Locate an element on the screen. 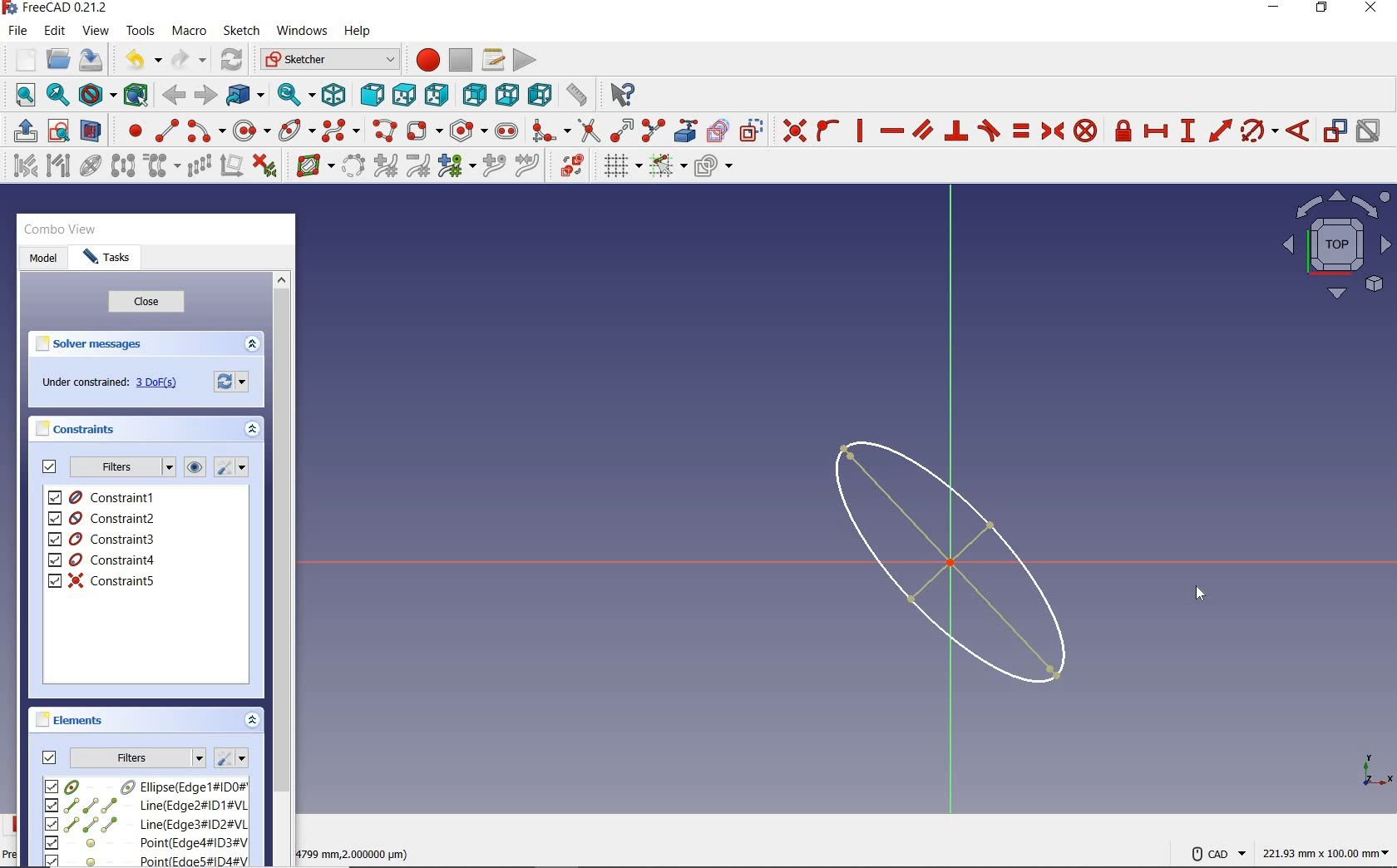 This screenshot has height=868, width=1397. tools is located at coordinates (142, 30).